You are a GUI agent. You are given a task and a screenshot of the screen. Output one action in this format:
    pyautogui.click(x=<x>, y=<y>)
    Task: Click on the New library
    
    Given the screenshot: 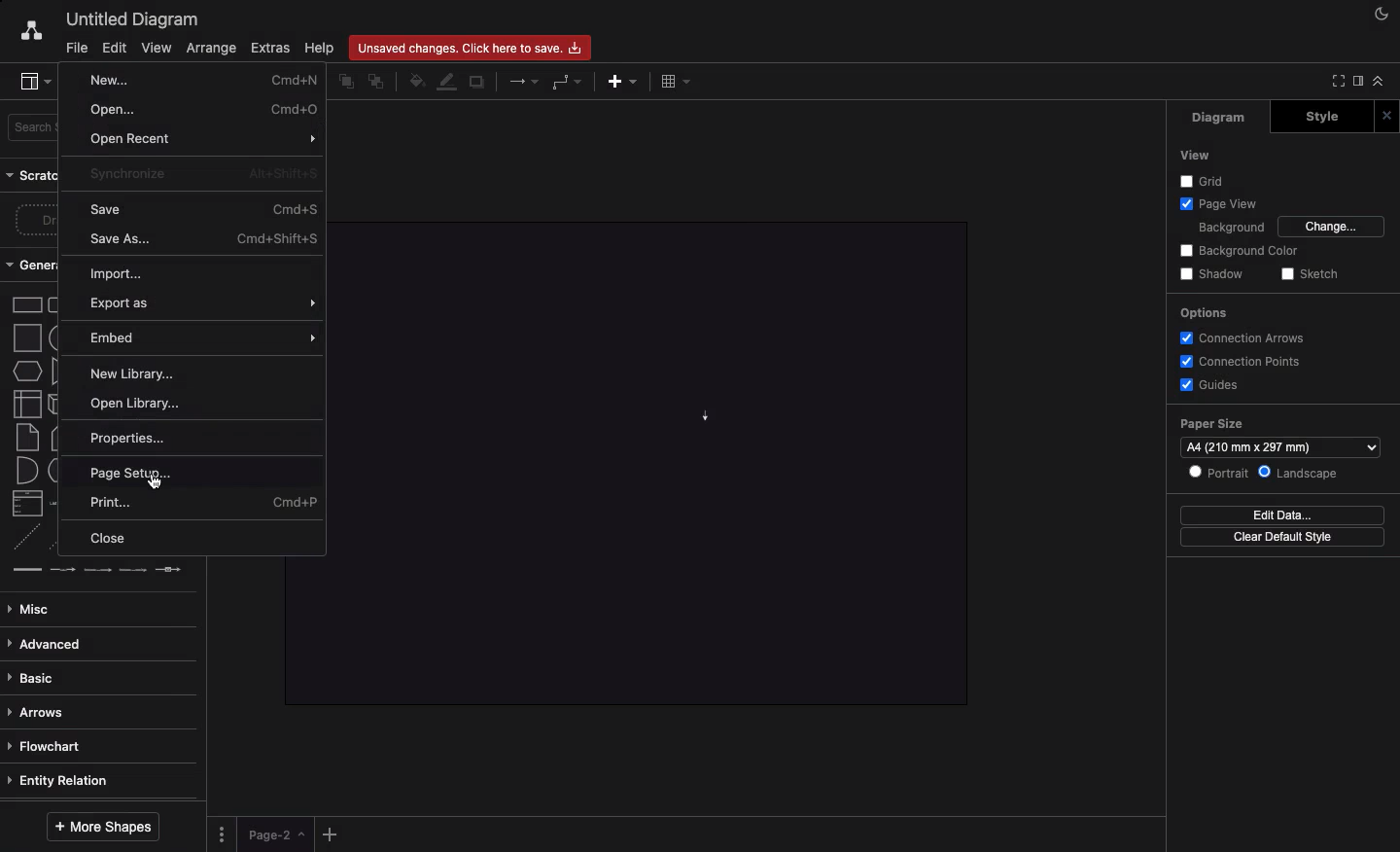 What is the action you would take?
    pyautogui.click(x=131, y=373)
    